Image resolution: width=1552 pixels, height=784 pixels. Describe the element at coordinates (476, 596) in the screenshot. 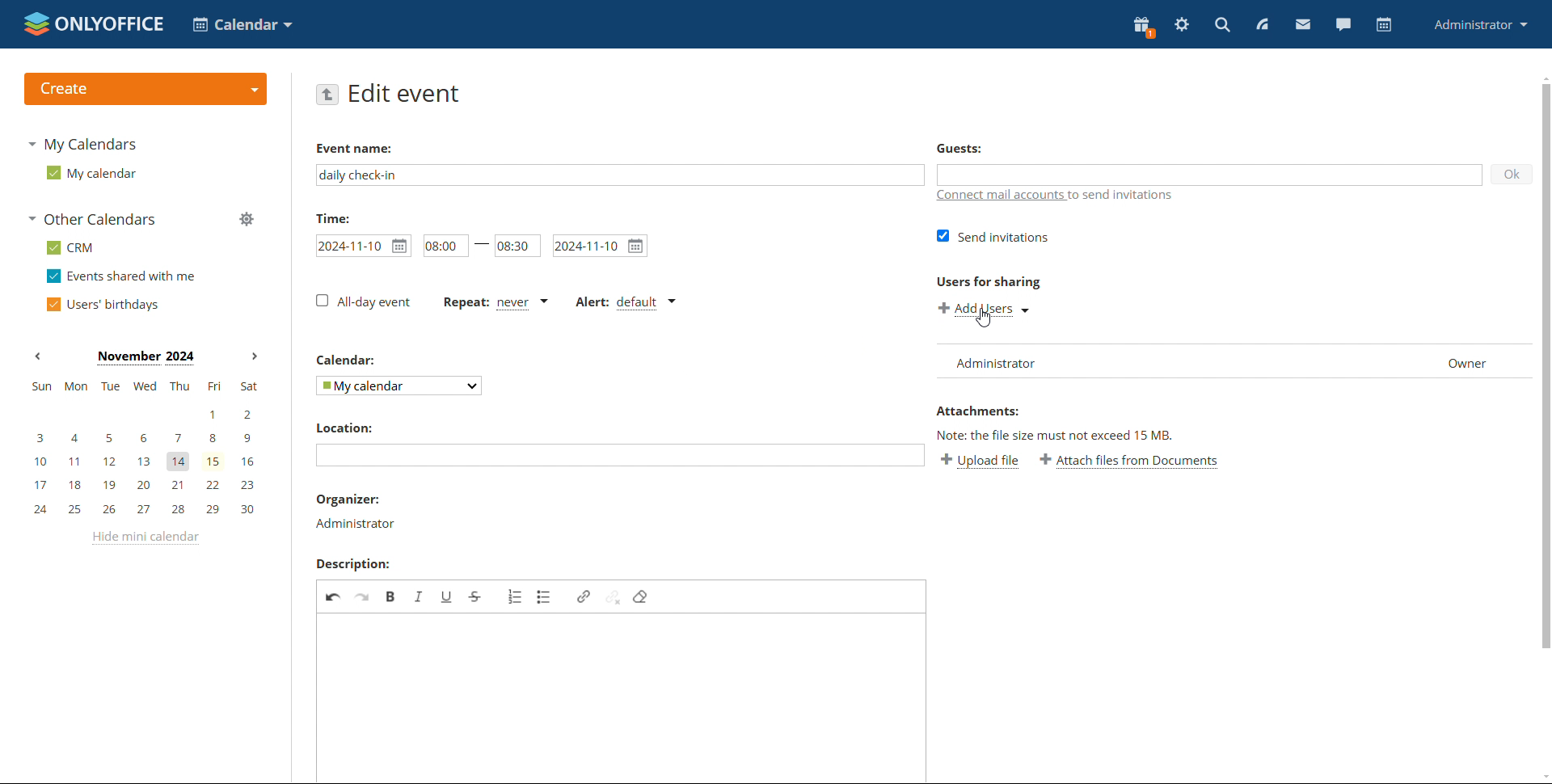

I see `strike through` at that location.